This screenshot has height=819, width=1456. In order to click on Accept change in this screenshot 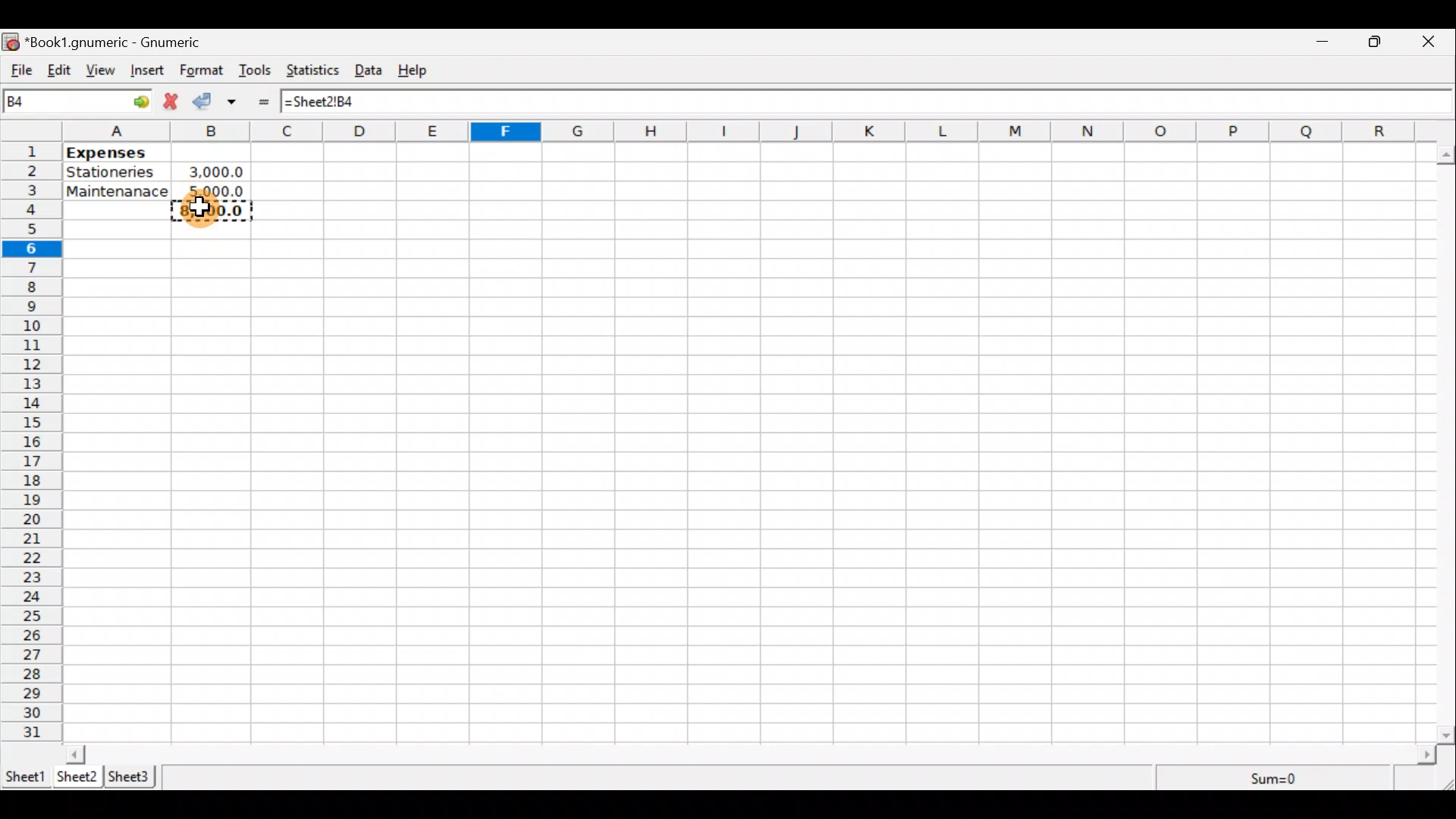, I will do `click(206, 102)`.